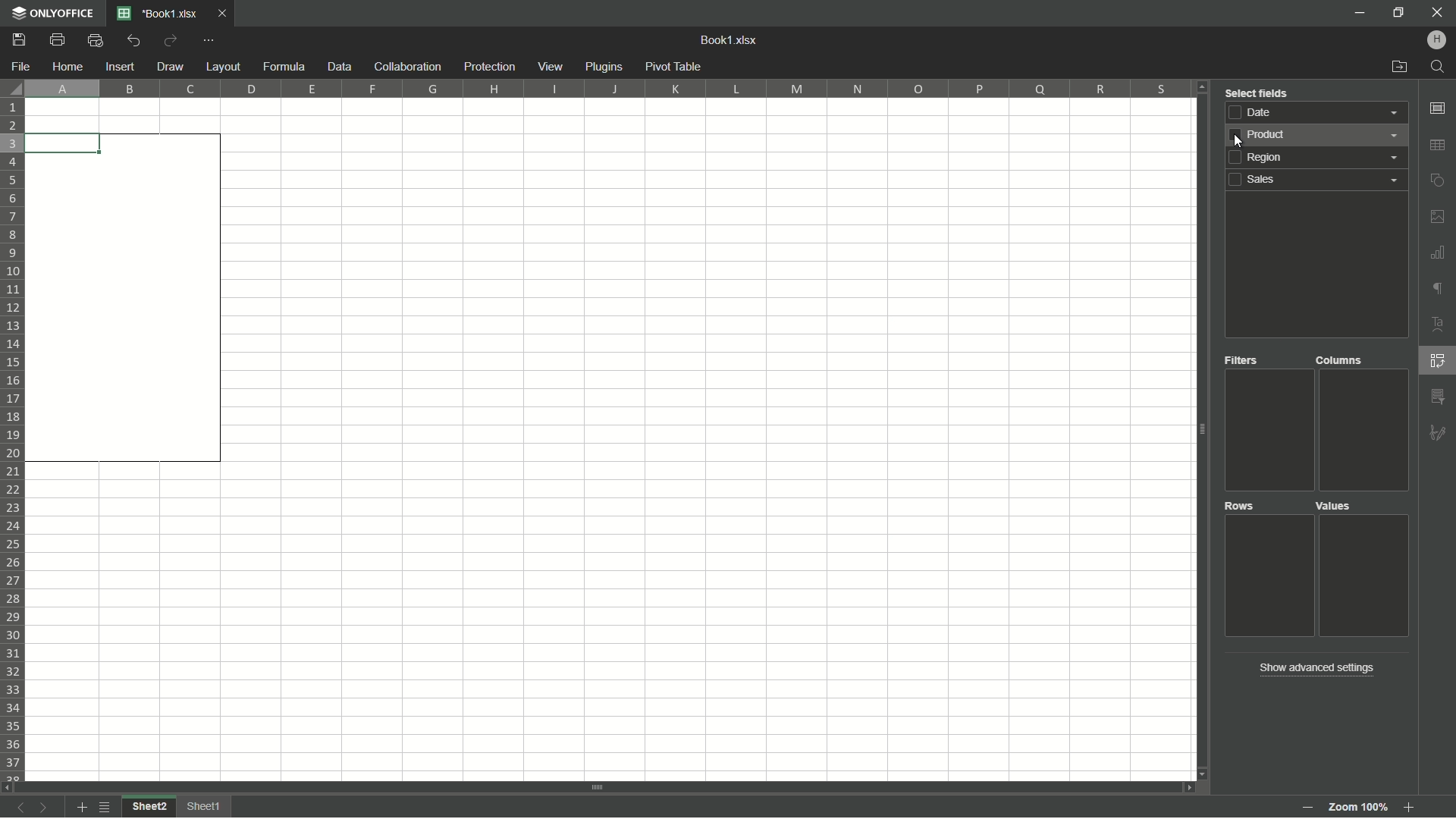 Image resolution: width=1456 pixels, height=819 pixels. I want to click on save, so click(20, 41).